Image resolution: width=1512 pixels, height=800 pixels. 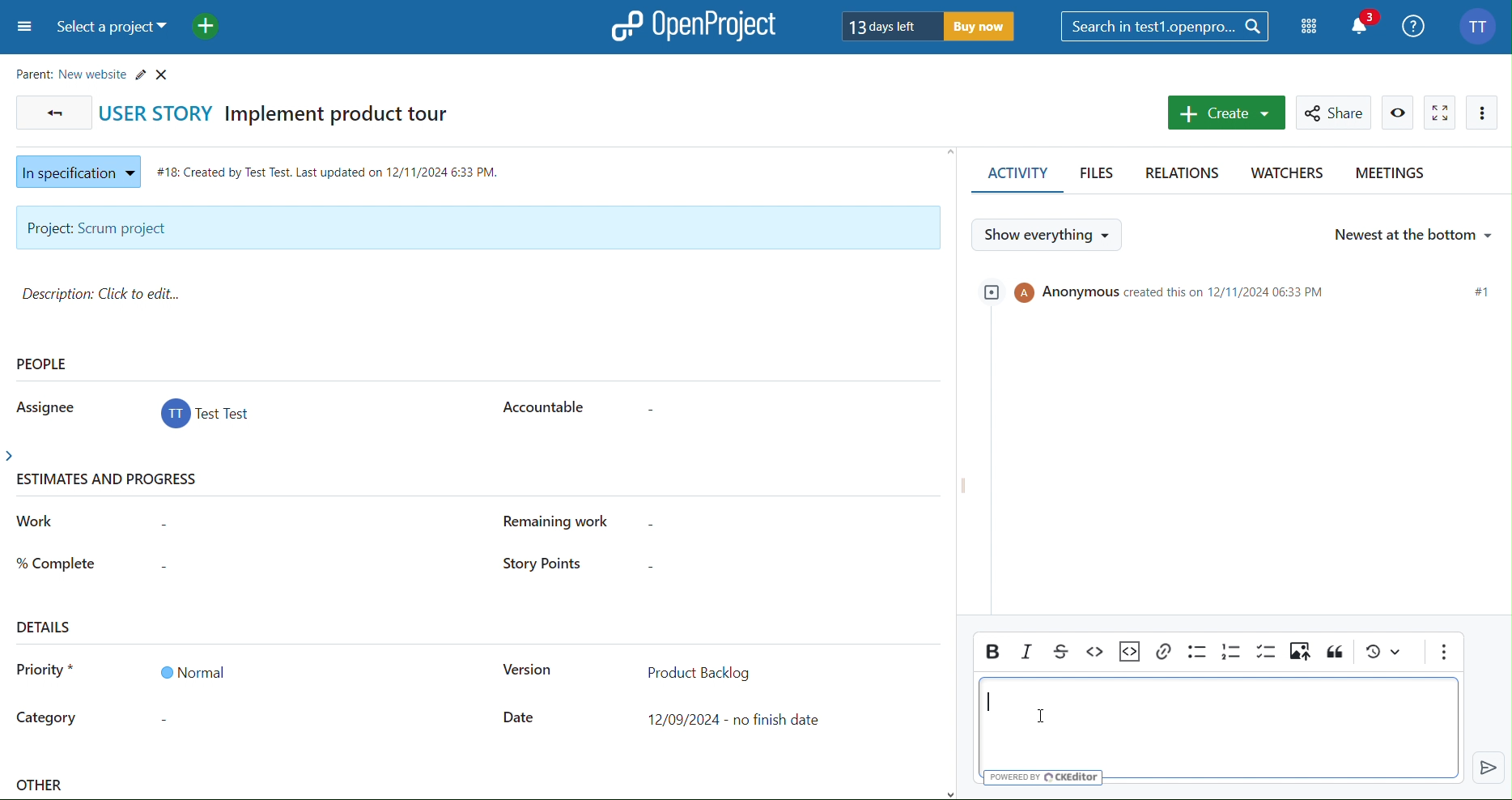 What do you see at coordinates (1267, 653) in the screenshot?
I see `Checklist` at bounding box center [1267, 653].